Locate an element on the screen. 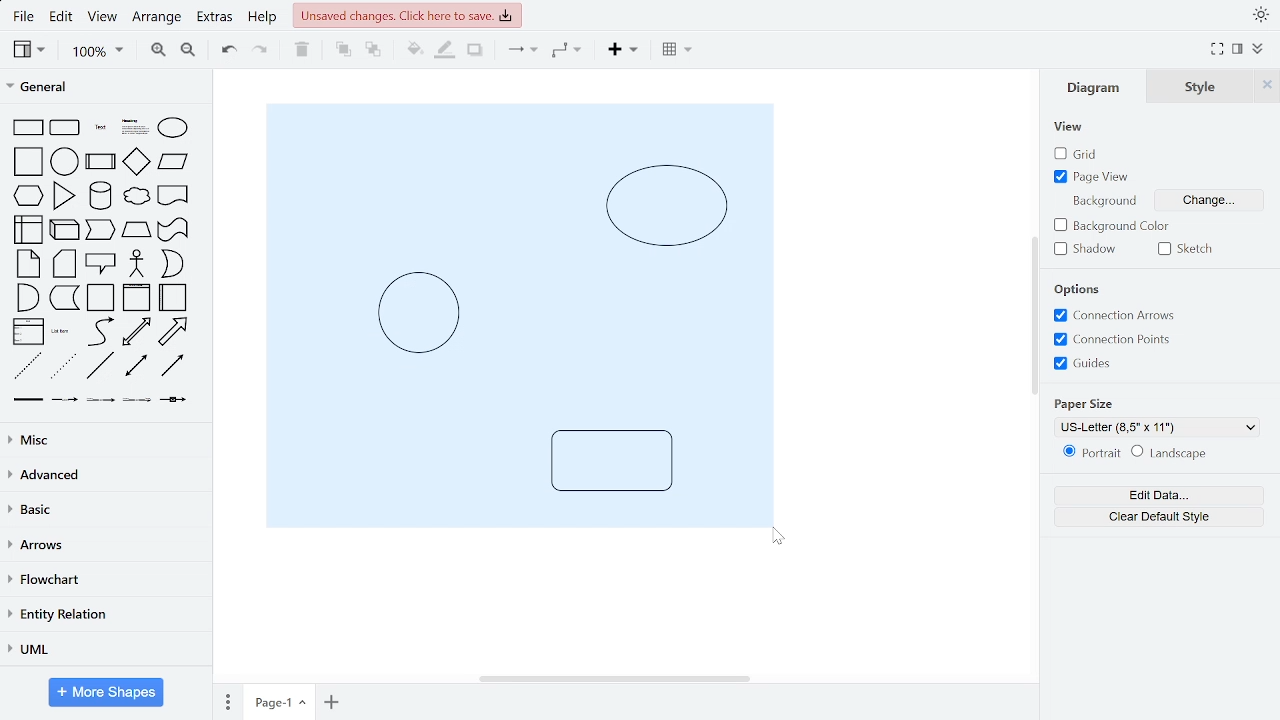 This screenshot has height=720, width=1280. cube is located at coordinates (66, 229).